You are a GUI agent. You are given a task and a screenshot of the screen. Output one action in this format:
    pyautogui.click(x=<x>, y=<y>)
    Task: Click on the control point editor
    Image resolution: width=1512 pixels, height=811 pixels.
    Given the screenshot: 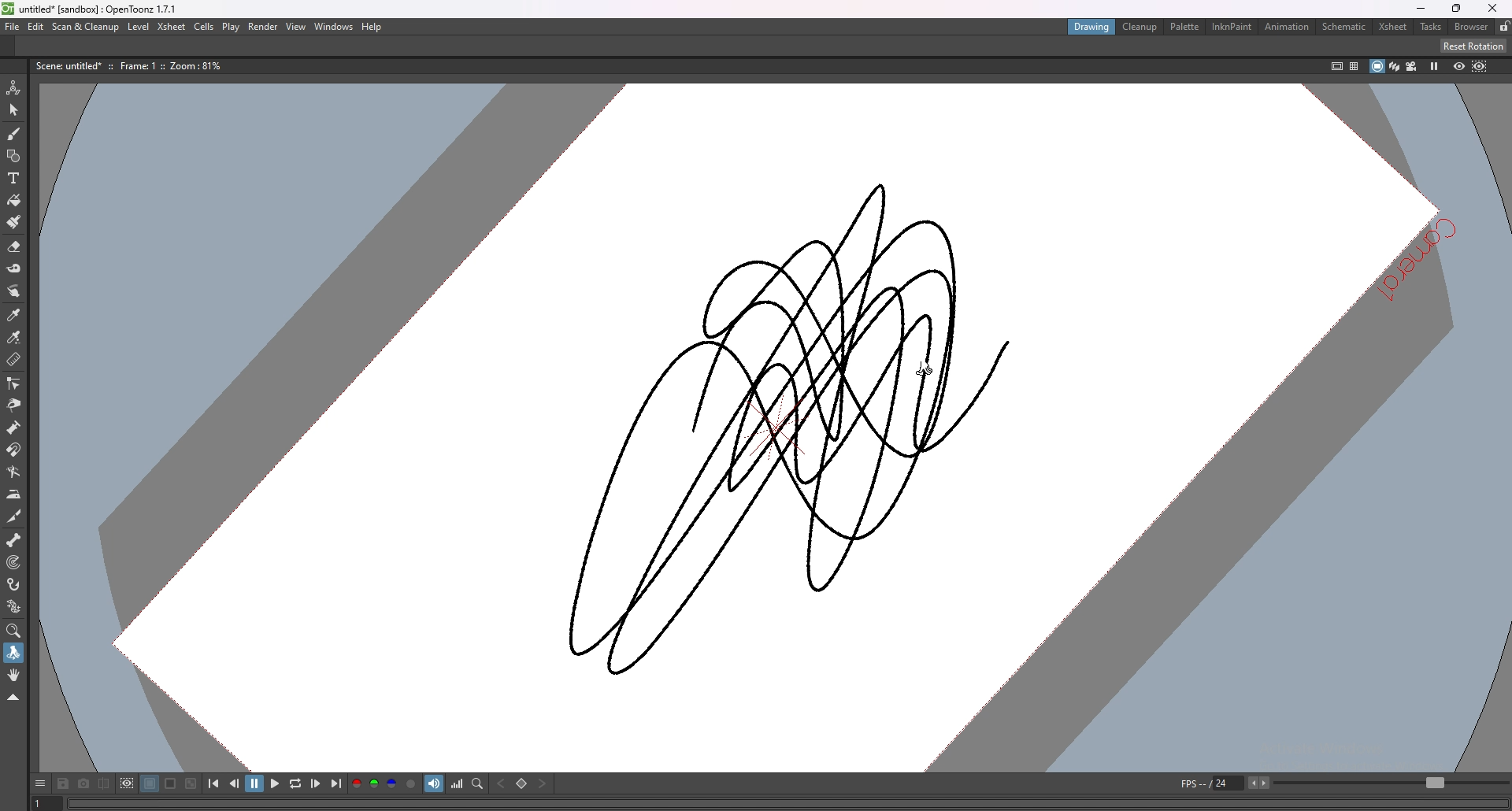 What is the action you would take?
    pyautogui.click(x=13, y=383)
    